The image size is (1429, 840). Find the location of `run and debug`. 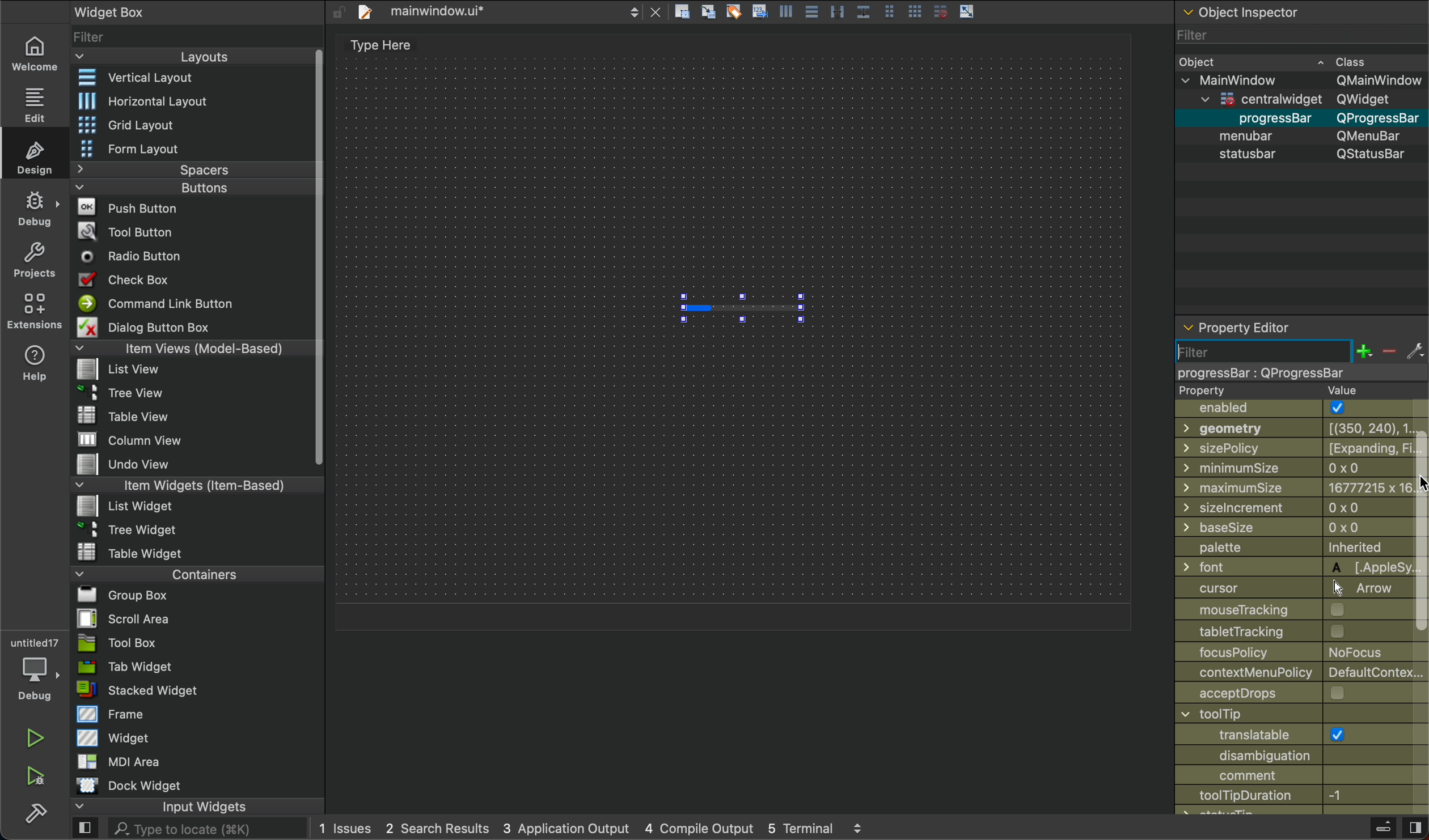

run and debug is located at coordinates (37, 776).